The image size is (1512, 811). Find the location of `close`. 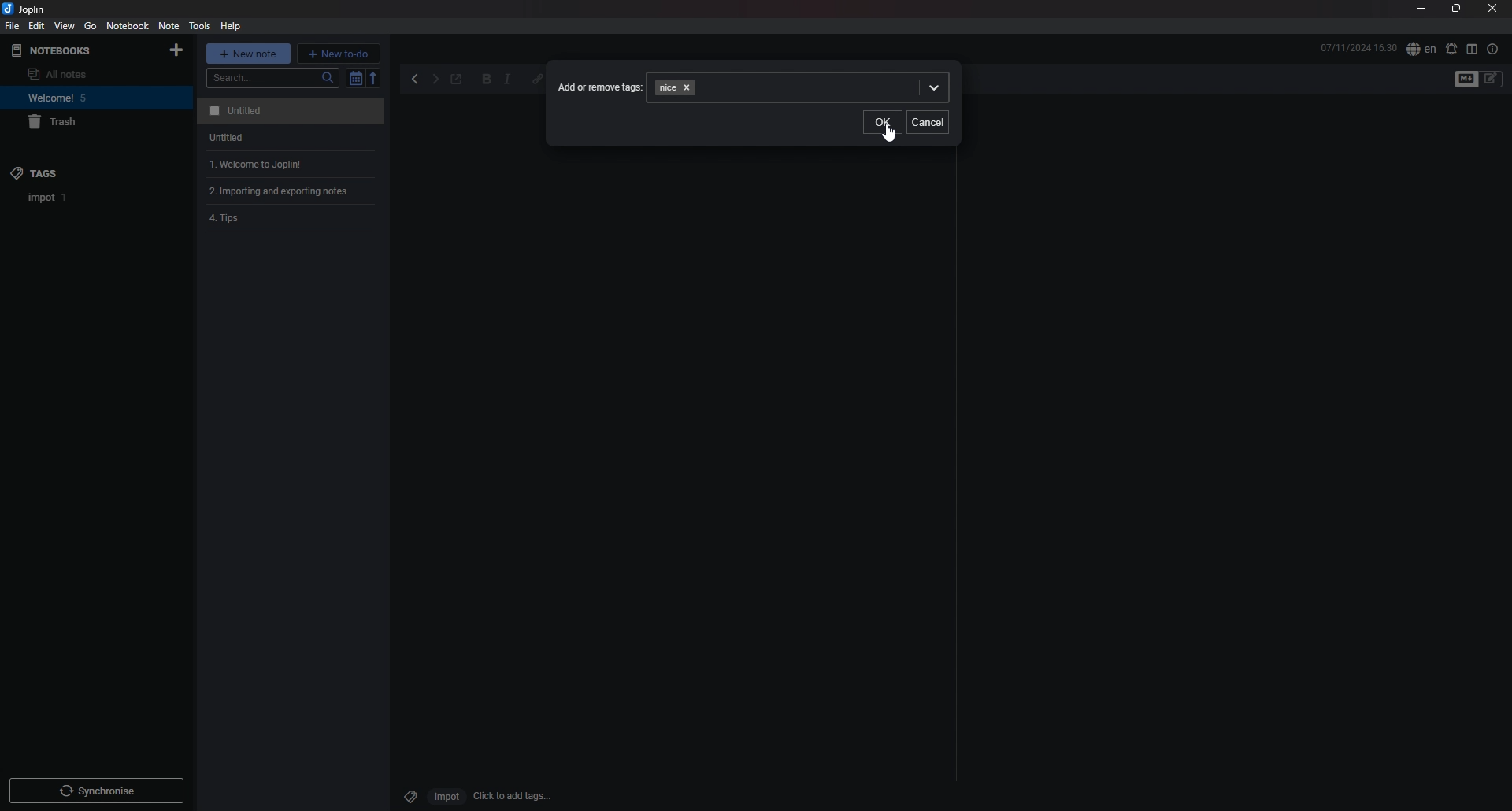

close is located at coordinates (1492, 9).